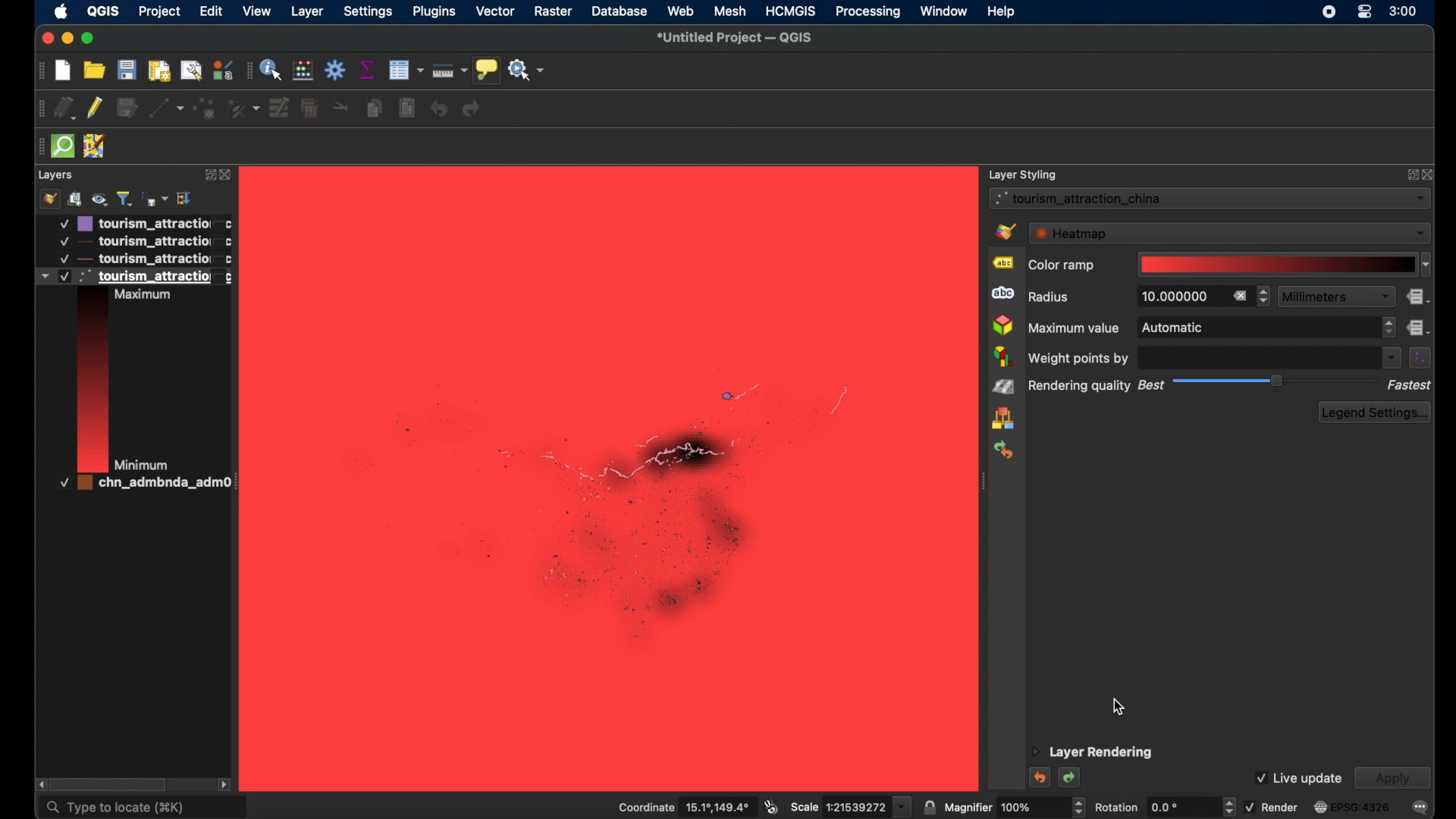 Image resolution: width=1456 pixels, height=819 pixels. I want to click on drag. handle, so click(246, 71).